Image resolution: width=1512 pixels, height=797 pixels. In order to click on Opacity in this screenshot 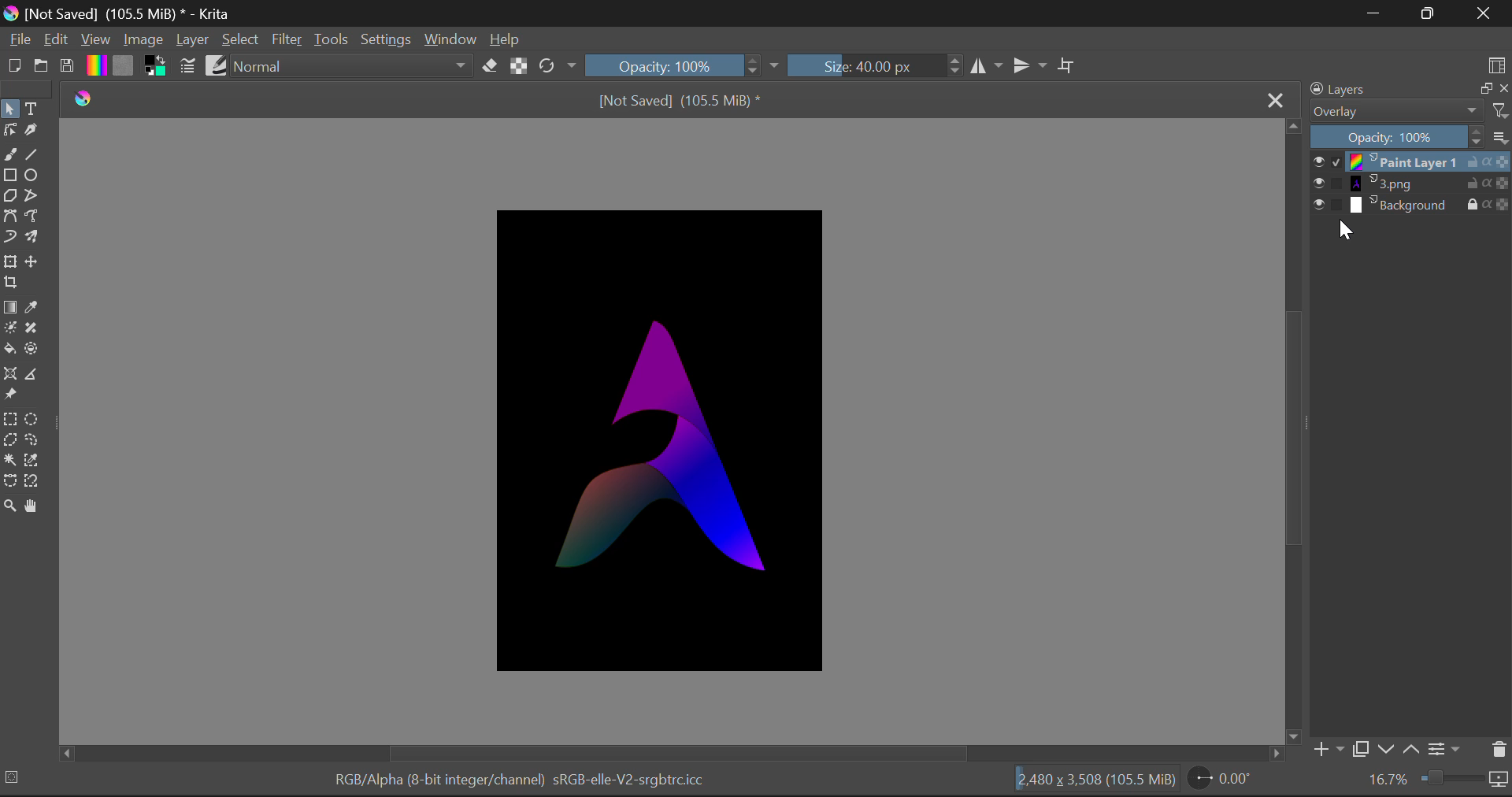, I will do `click(663, 66)`.